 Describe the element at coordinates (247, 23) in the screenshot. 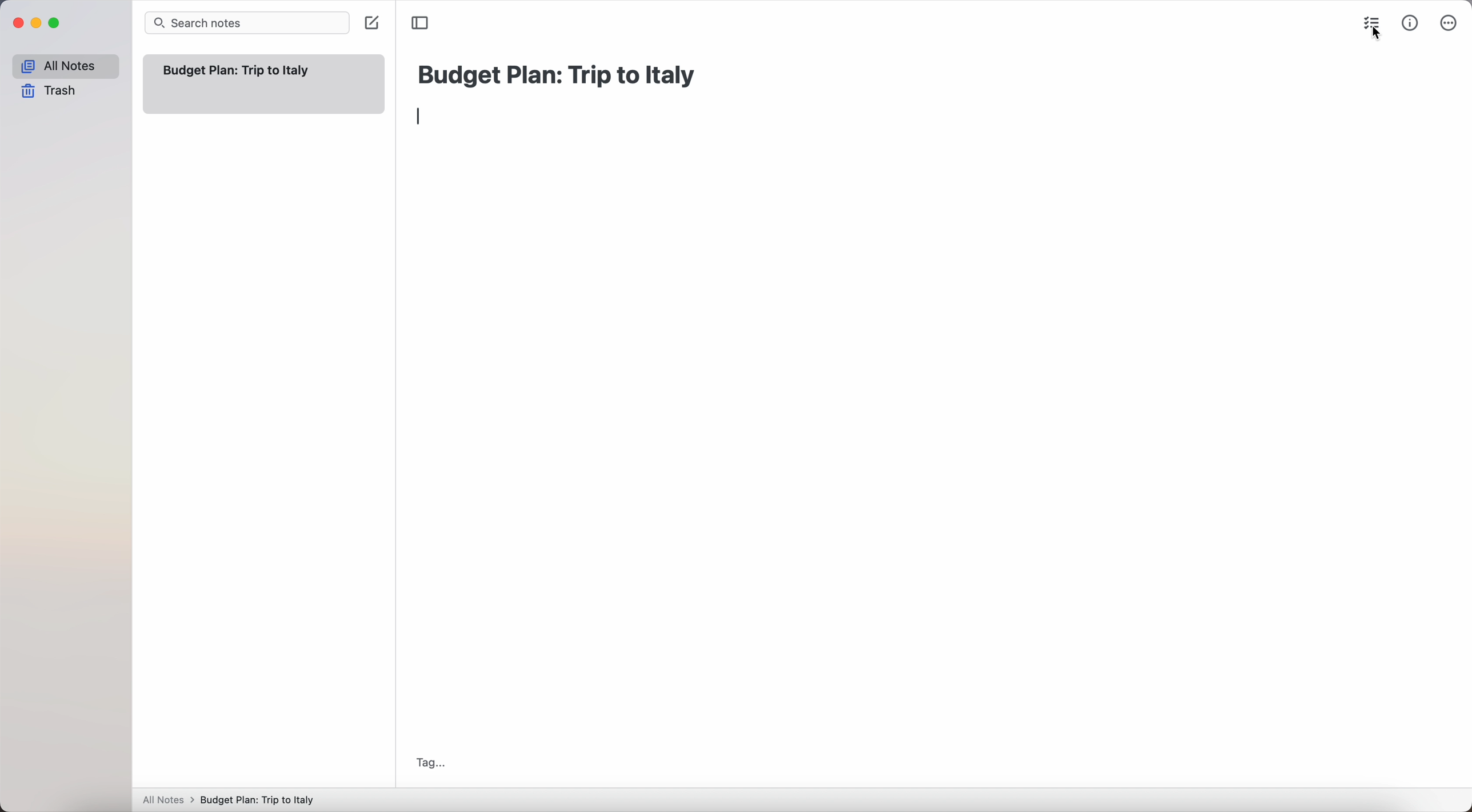

I see `search bar` at that location.